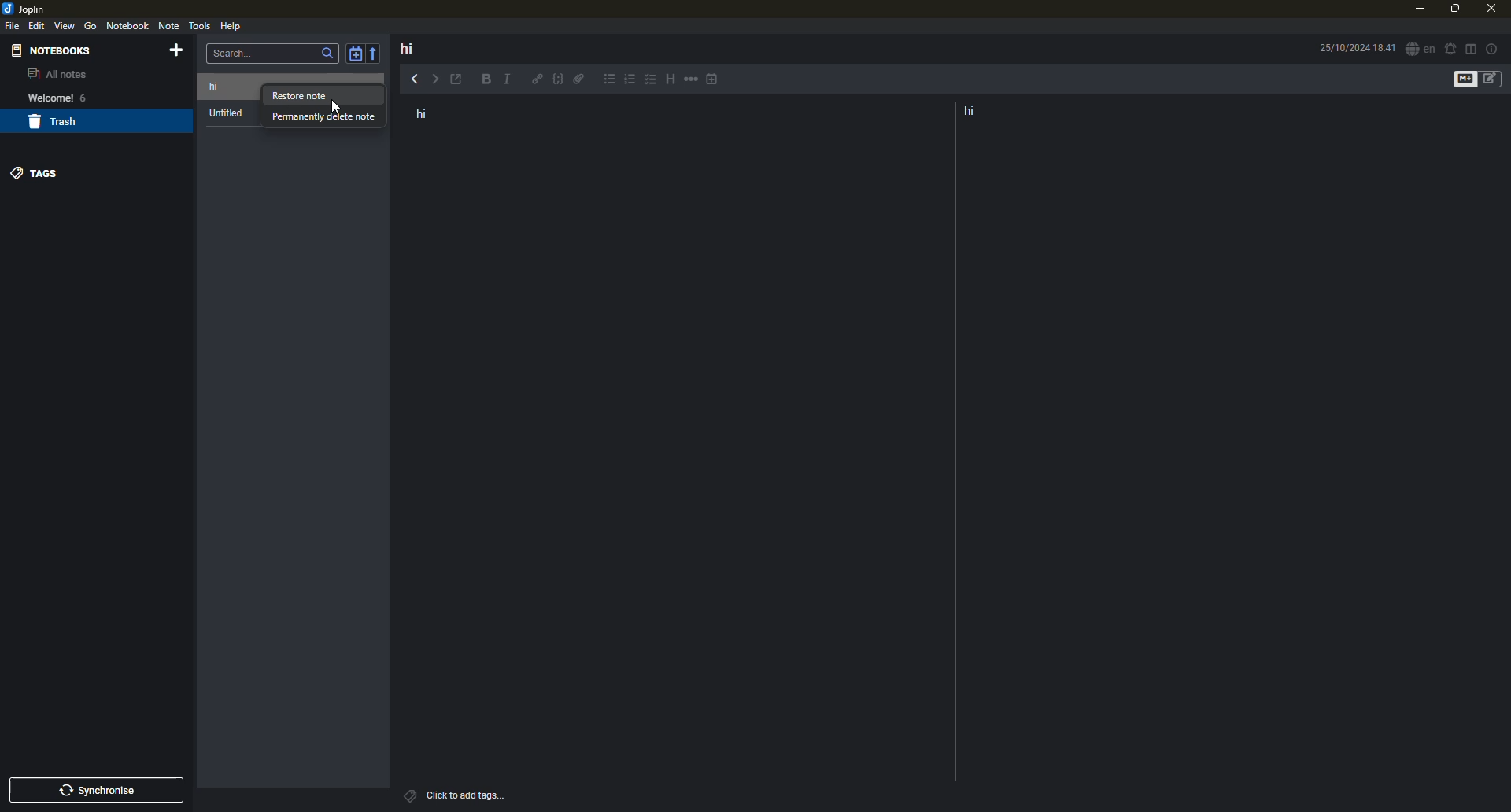  Describe the element at coordinates (225, 86) in the screenshot. I see `hi` at that location.